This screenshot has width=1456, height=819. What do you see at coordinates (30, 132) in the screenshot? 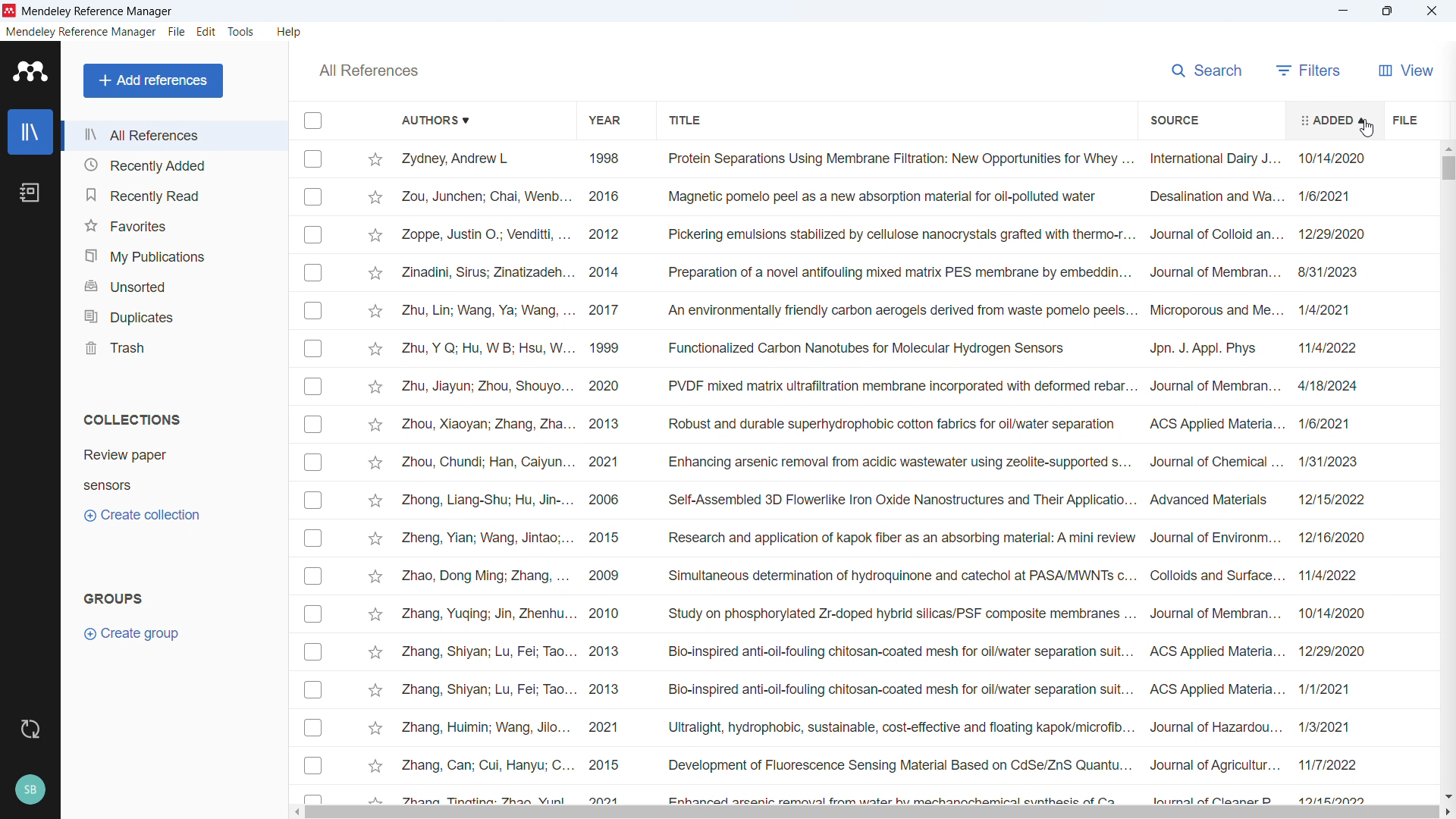
I see `library` at bounding box center [30, 132].